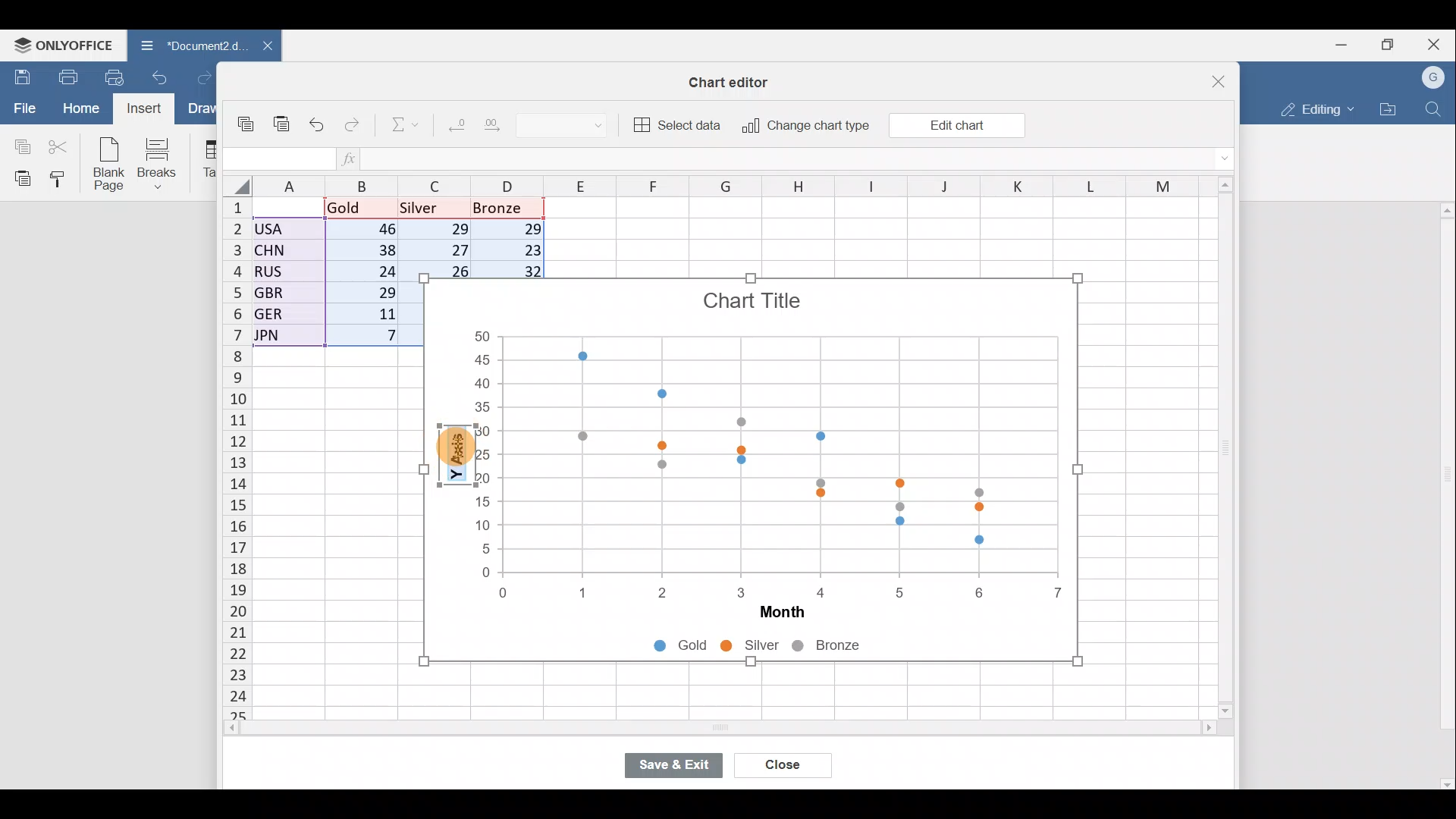  I want to click on Close document, so click(259, 47).